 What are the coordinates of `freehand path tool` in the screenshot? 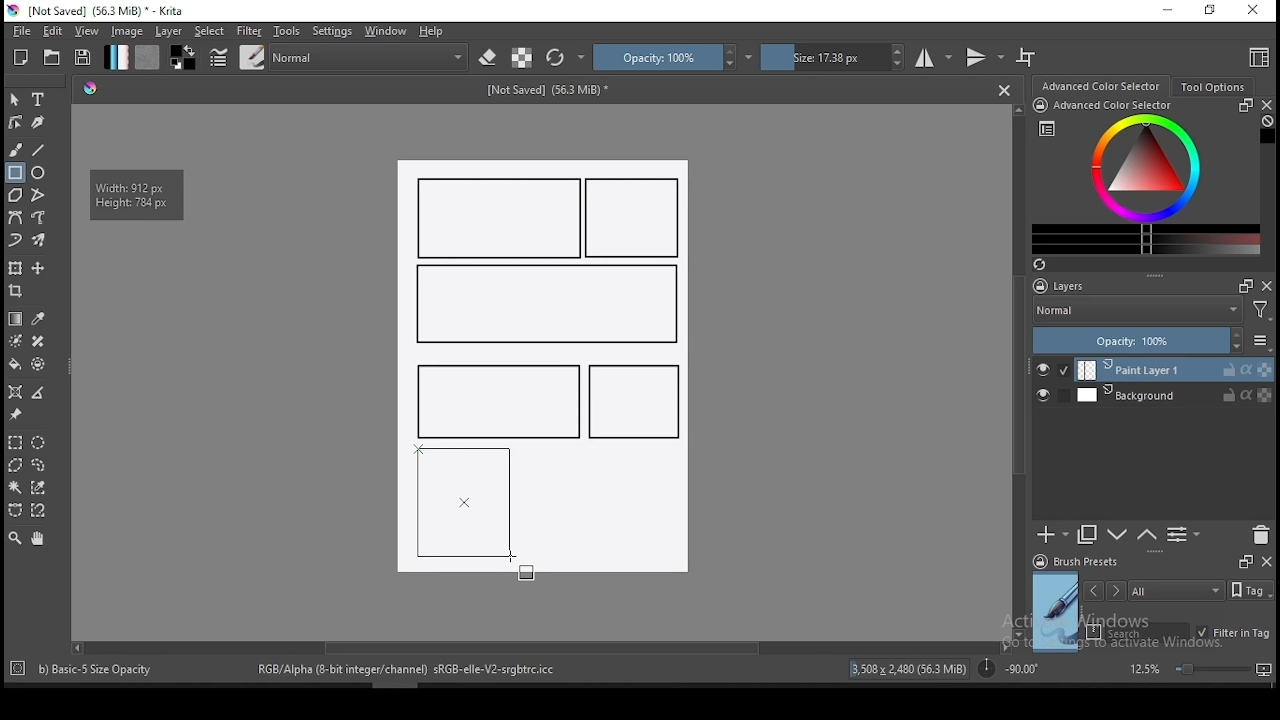 It's located at (40, 218).